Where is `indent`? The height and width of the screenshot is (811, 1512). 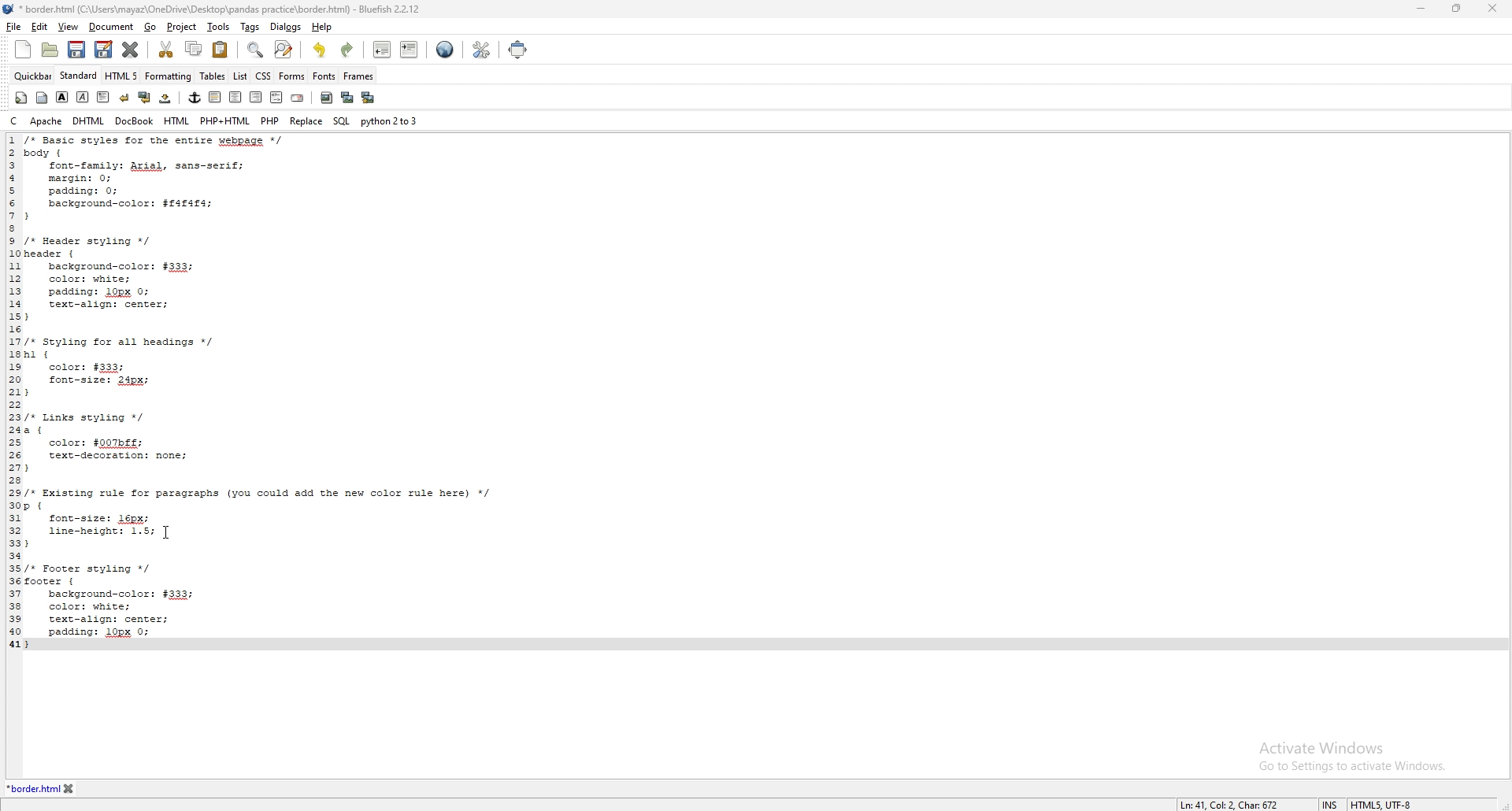 indent is located at coordinates (409, 50).